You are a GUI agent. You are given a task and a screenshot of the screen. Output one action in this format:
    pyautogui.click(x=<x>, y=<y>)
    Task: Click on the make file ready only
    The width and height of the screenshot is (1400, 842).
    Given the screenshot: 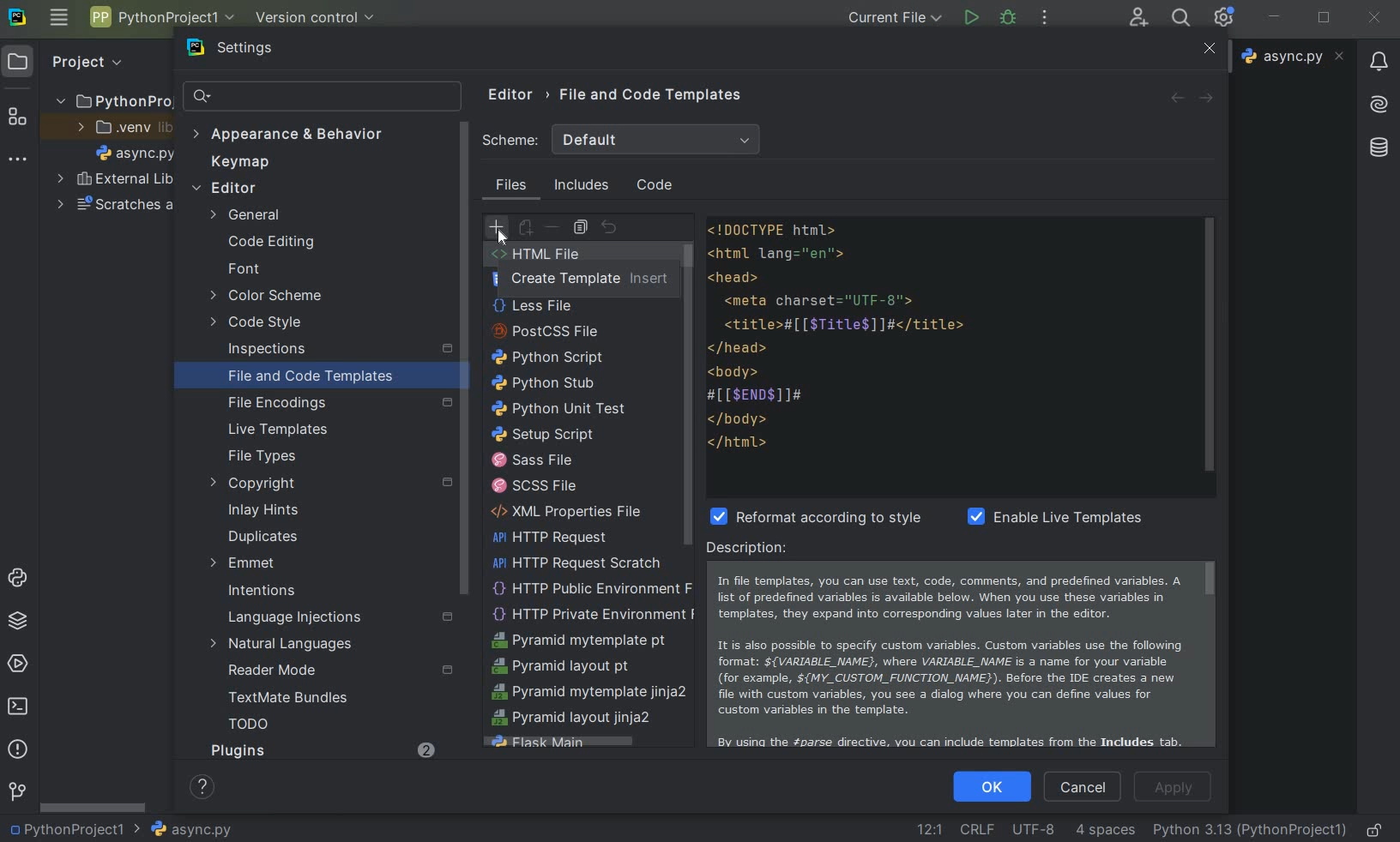 What is the action you would take?
    pyautogui.click(x=1376, y=827)
    